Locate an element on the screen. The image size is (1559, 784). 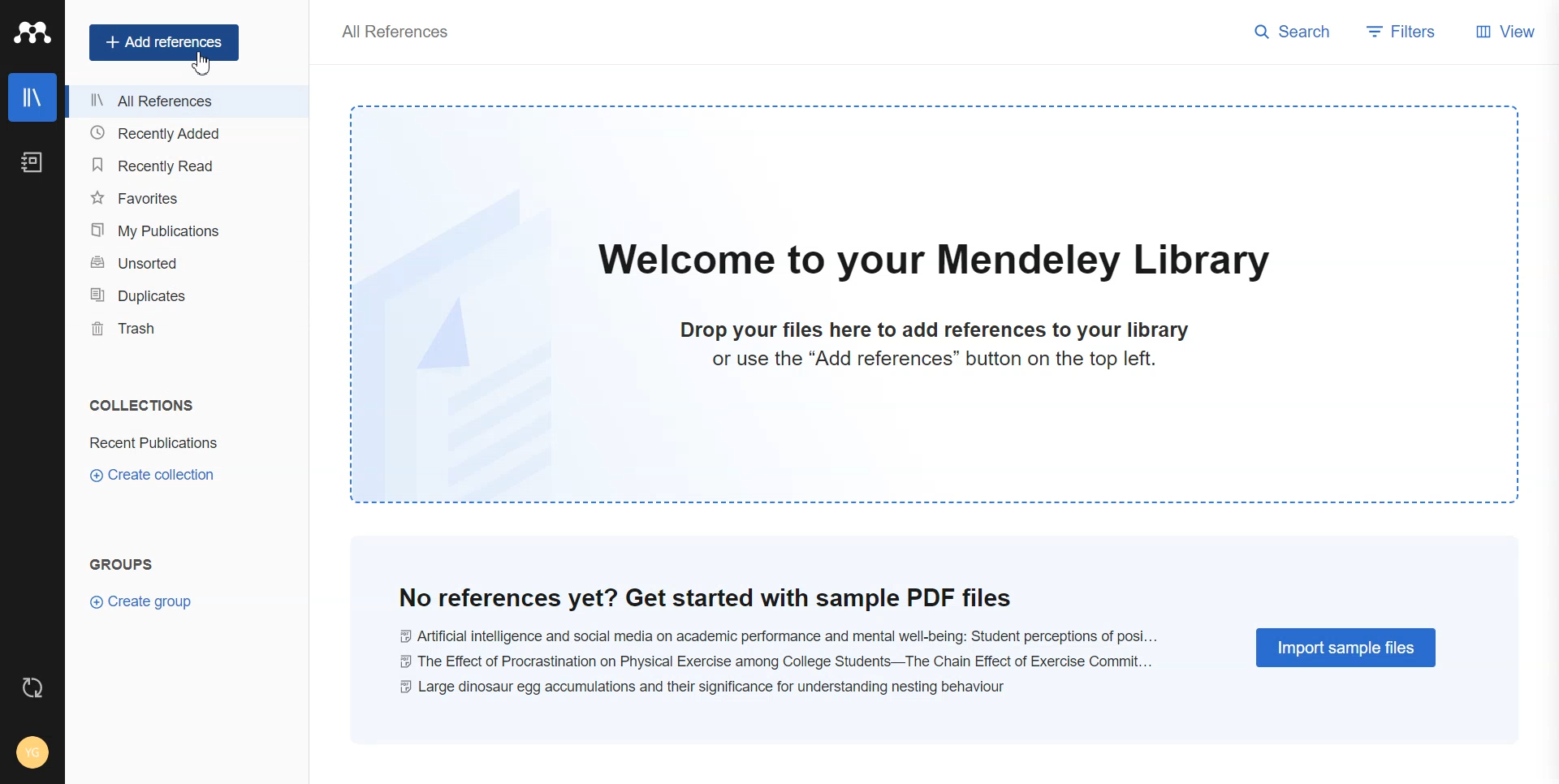
Recently Read is located at coordinates (179, 164).